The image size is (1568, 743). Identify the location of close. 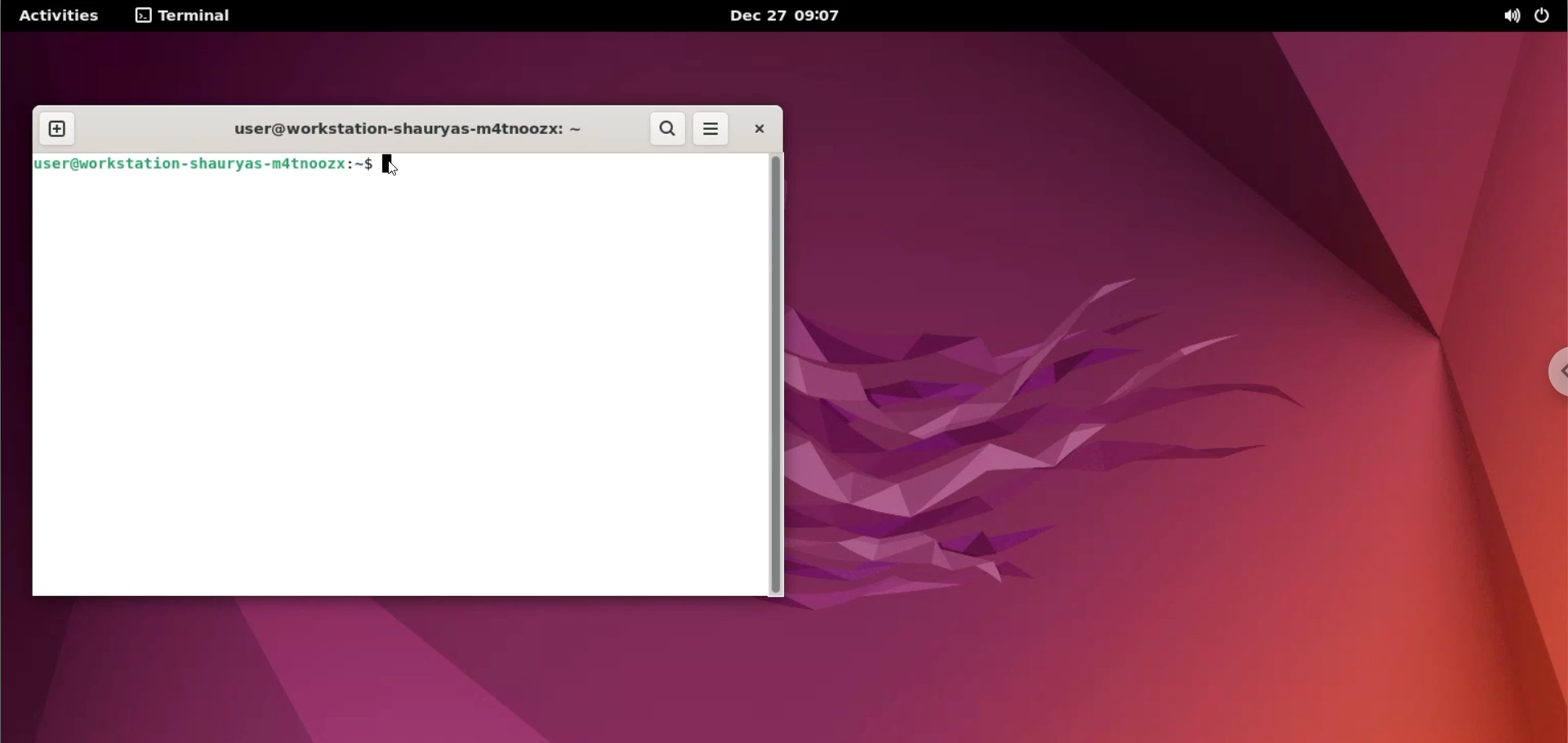
(757, 129).